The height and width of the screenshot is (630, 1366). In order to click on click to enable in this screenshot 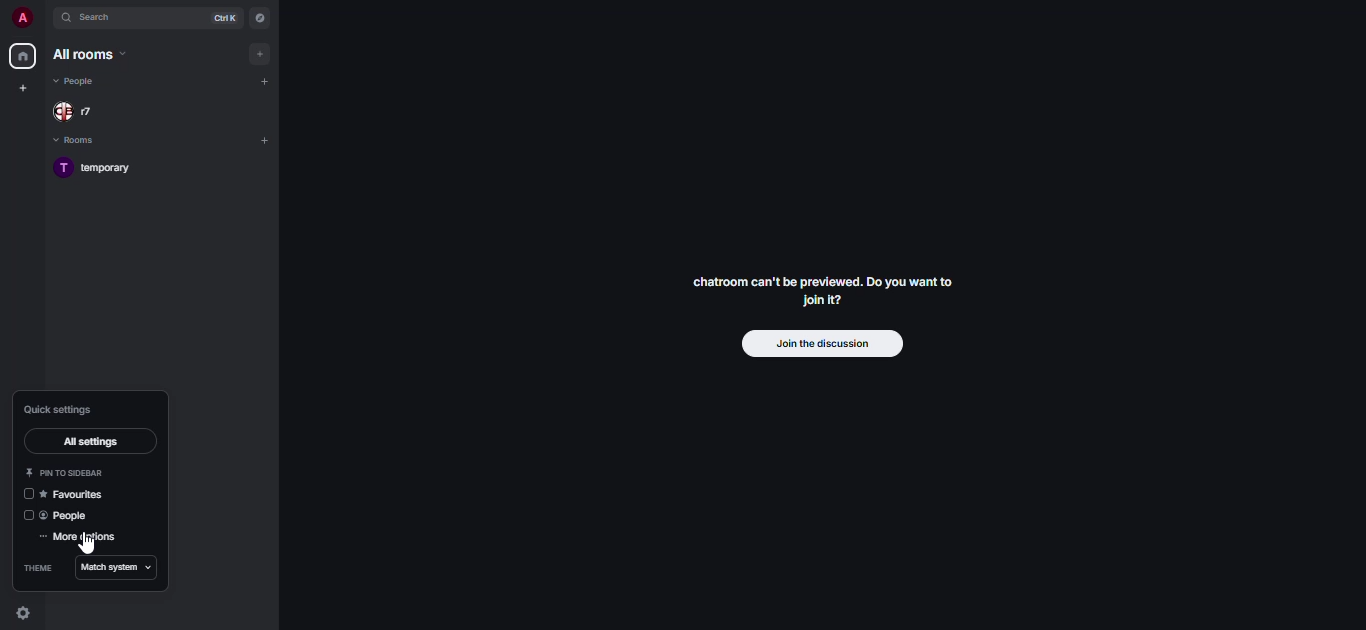, I will do `click(28, 515)`.